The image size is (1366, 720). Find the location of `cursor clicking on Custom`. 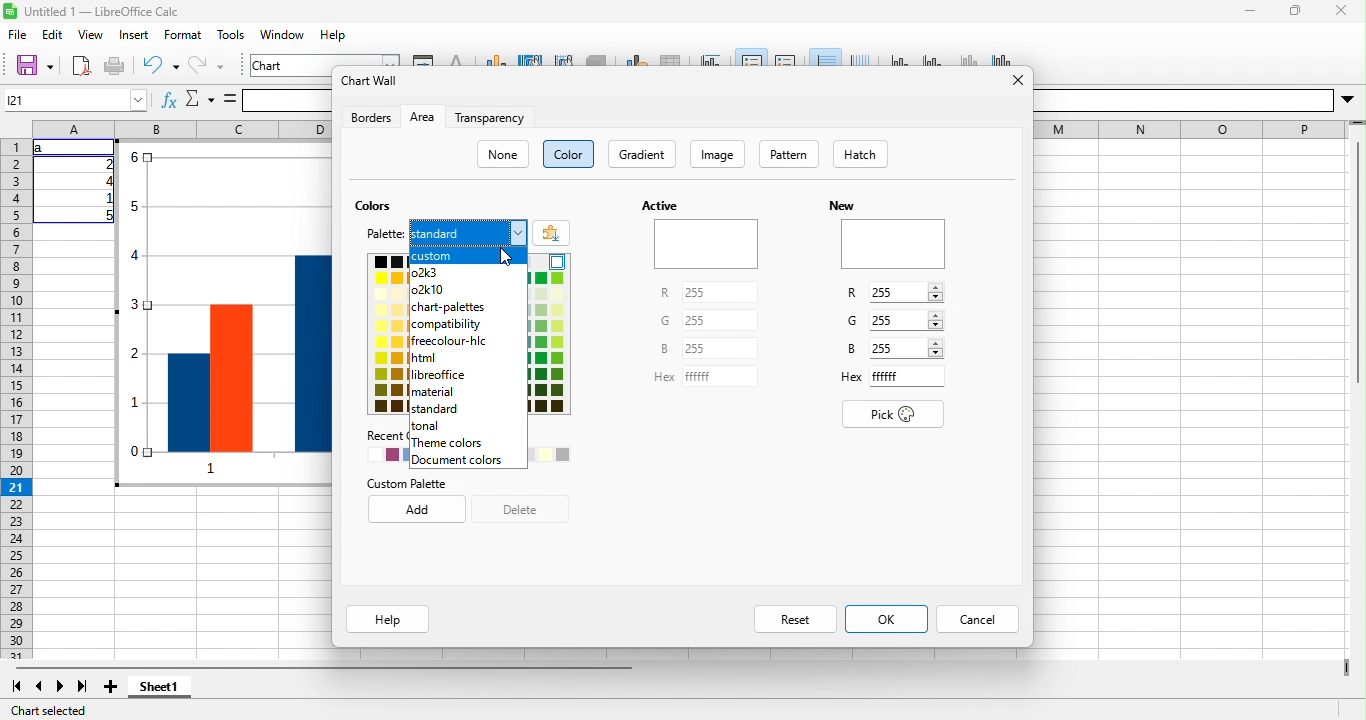

cursor clicking on Custom is located at coordinates (506, 257).